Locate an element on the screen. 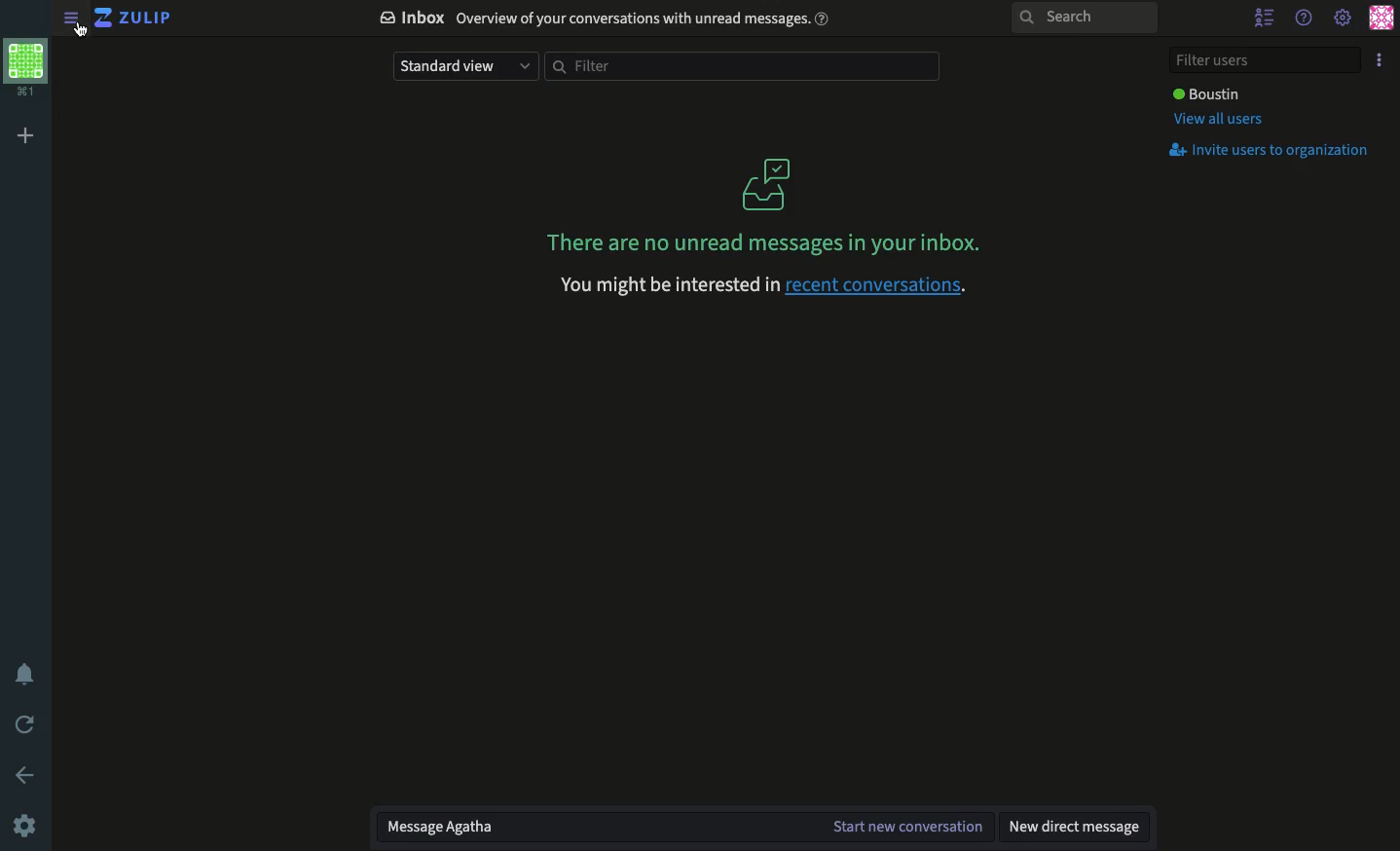 This screenshot has width=1400, height=851. Zulip is located at coordinates (133, 18).